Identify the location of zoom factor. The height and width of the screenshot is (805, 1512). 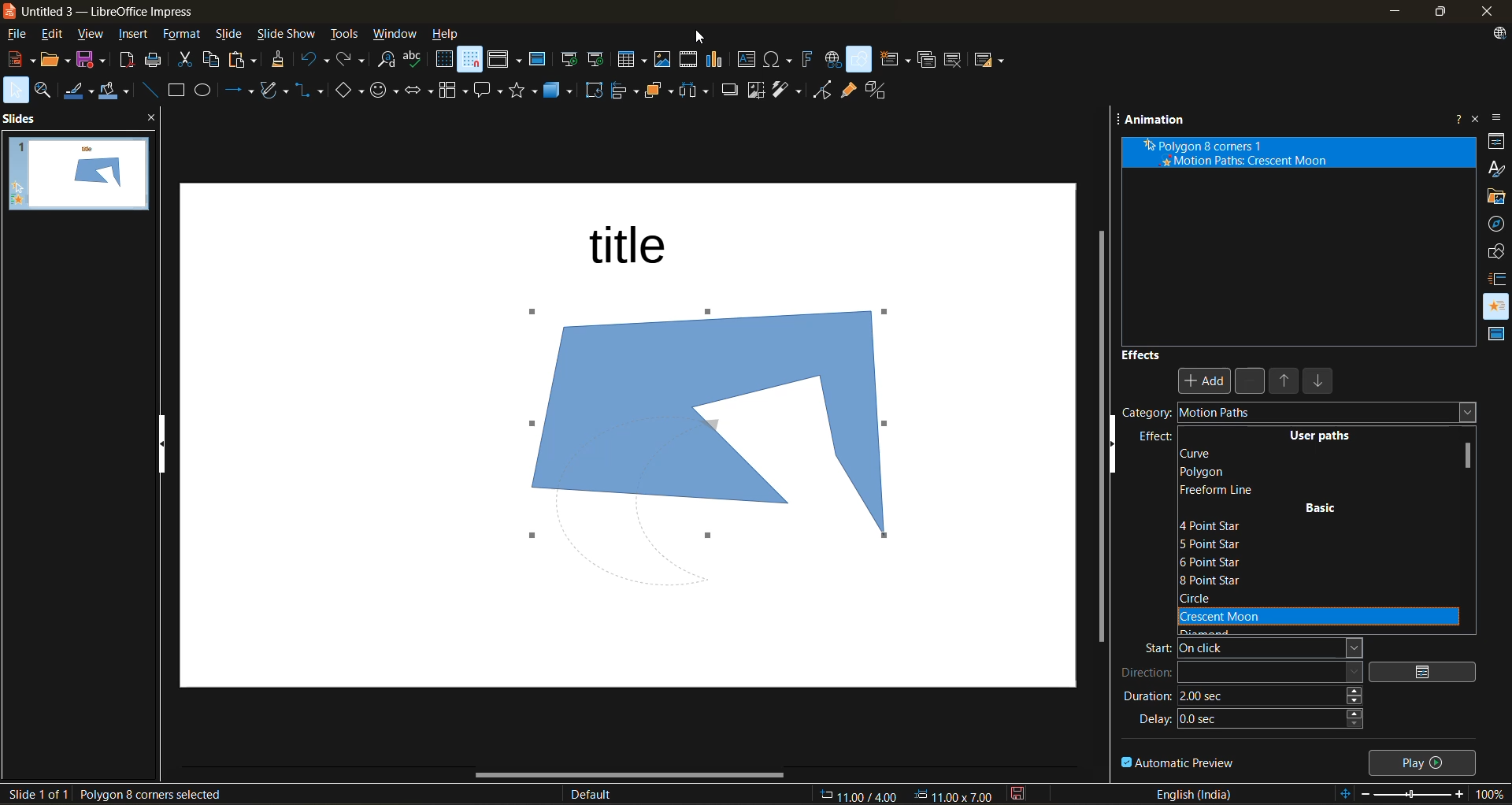
(1486, 793).